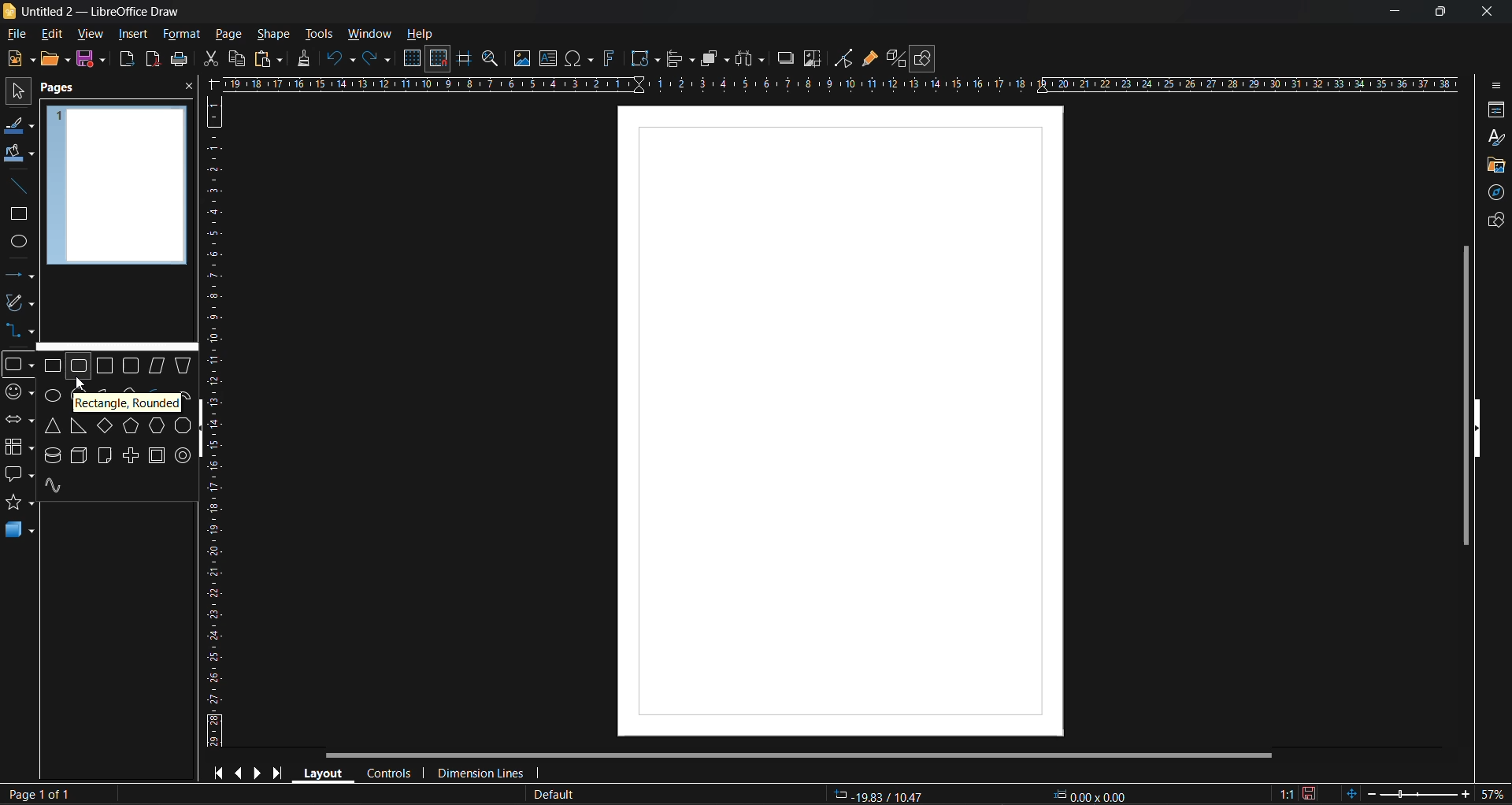 The image size is (1512, 805). What do you see at coordinates (377, 60) in the screenshot?
I see `redo` at bounding box center [377, 60].